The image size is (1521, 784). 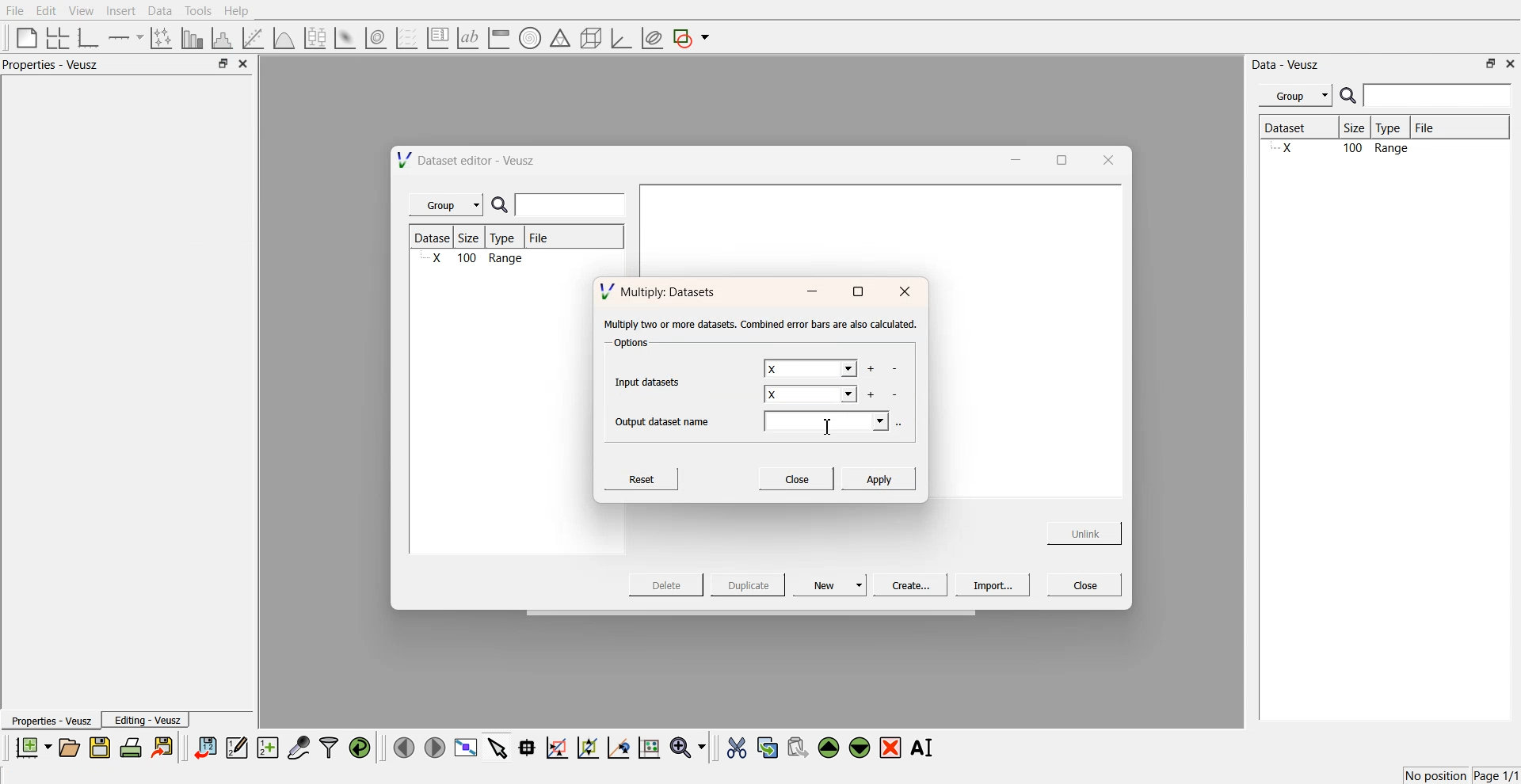 What do you see at coordinates (1359, 129) in the screenshot?
I see `Size` at bounding box center [1359, 129].